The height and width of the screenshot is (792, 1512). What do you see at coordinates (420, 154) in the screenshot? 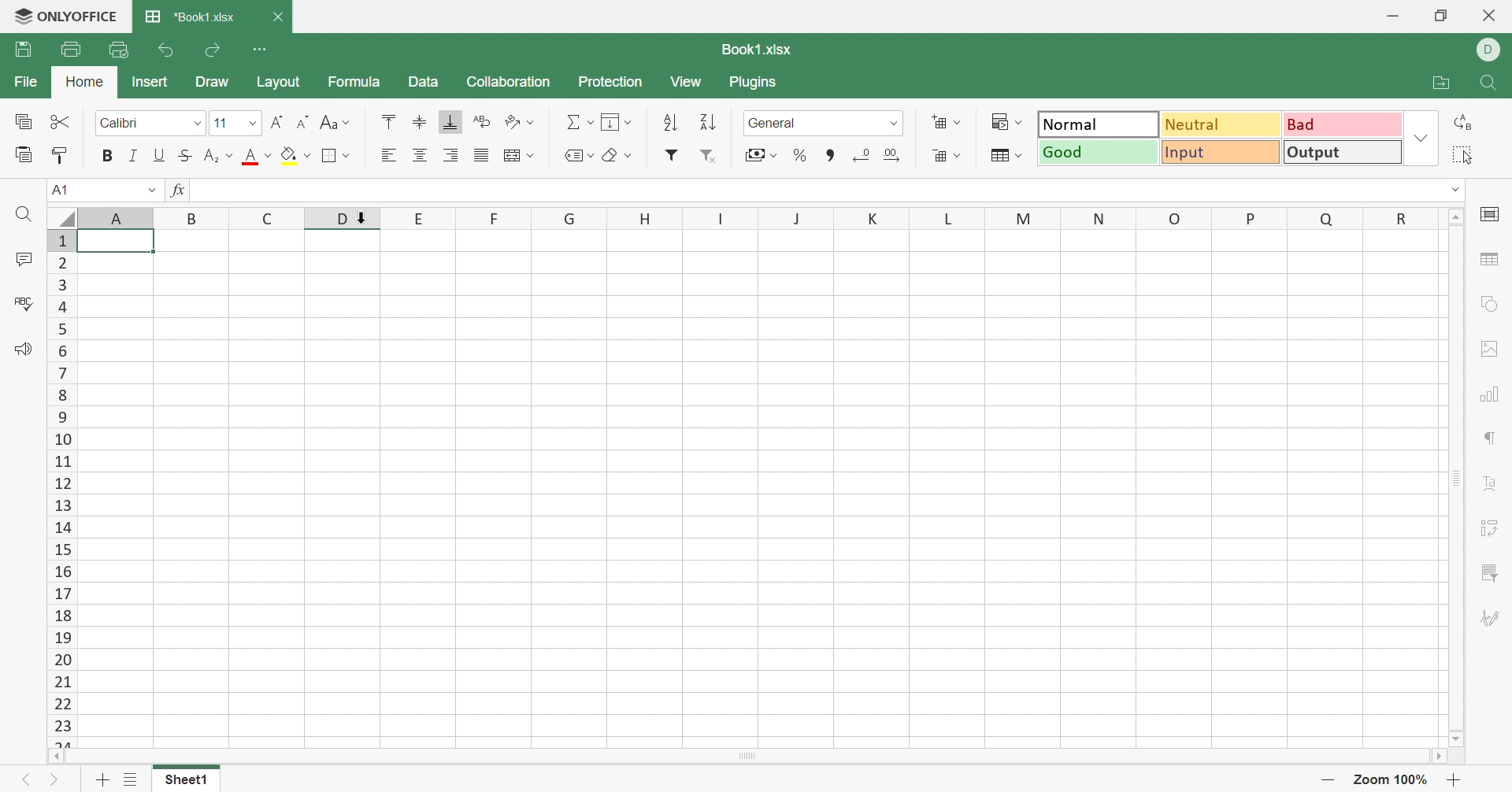
I see `Align Center` at bounding box center [420, 154].